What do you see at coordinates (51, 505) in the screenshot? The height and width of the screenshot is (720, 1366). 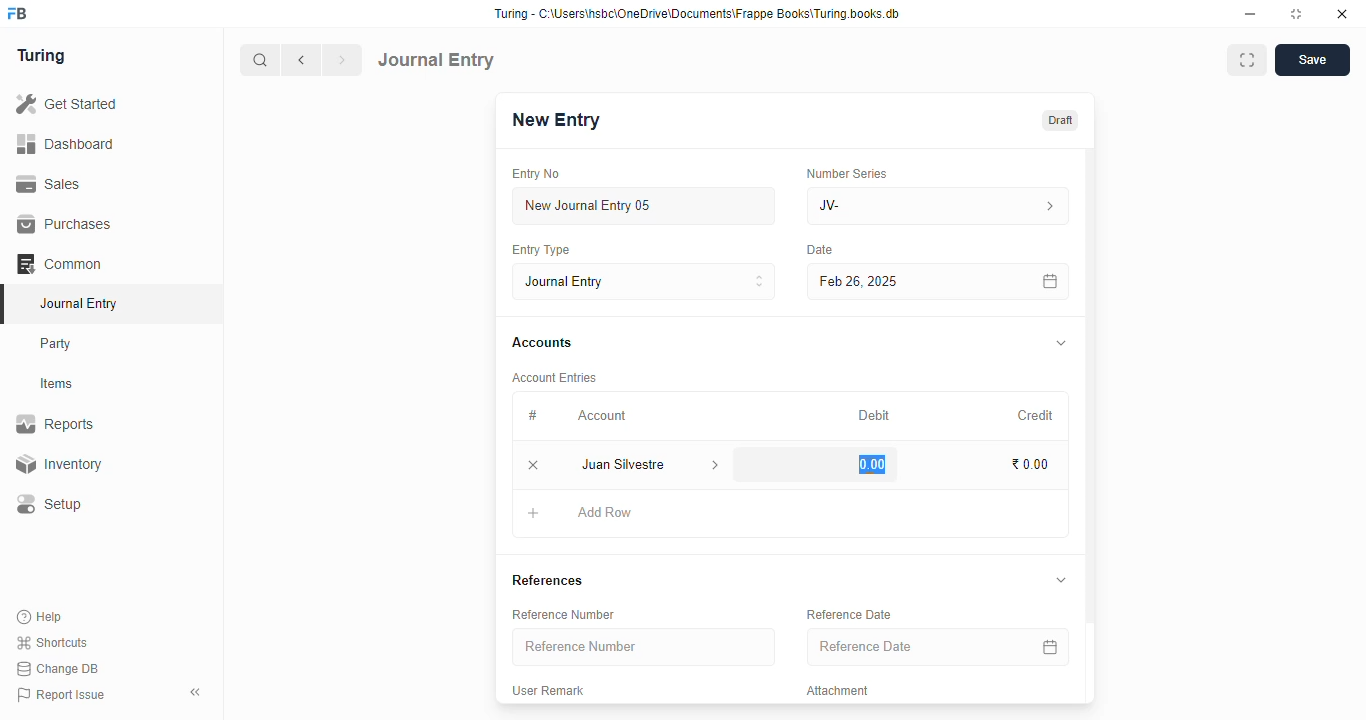 I see `setup` at bounding box center [51, 505].